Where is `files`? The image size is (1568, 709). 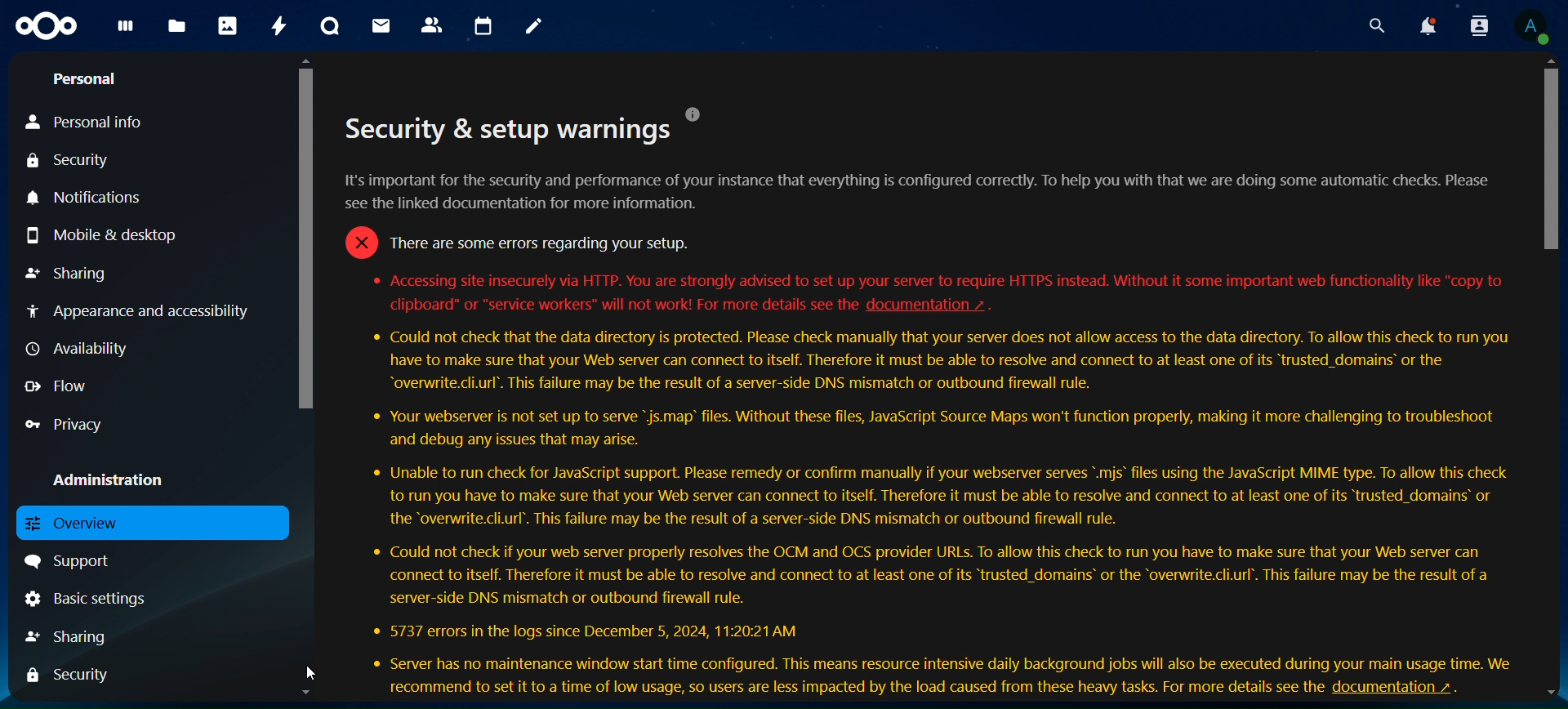 files is located at coordinates (129, 32).